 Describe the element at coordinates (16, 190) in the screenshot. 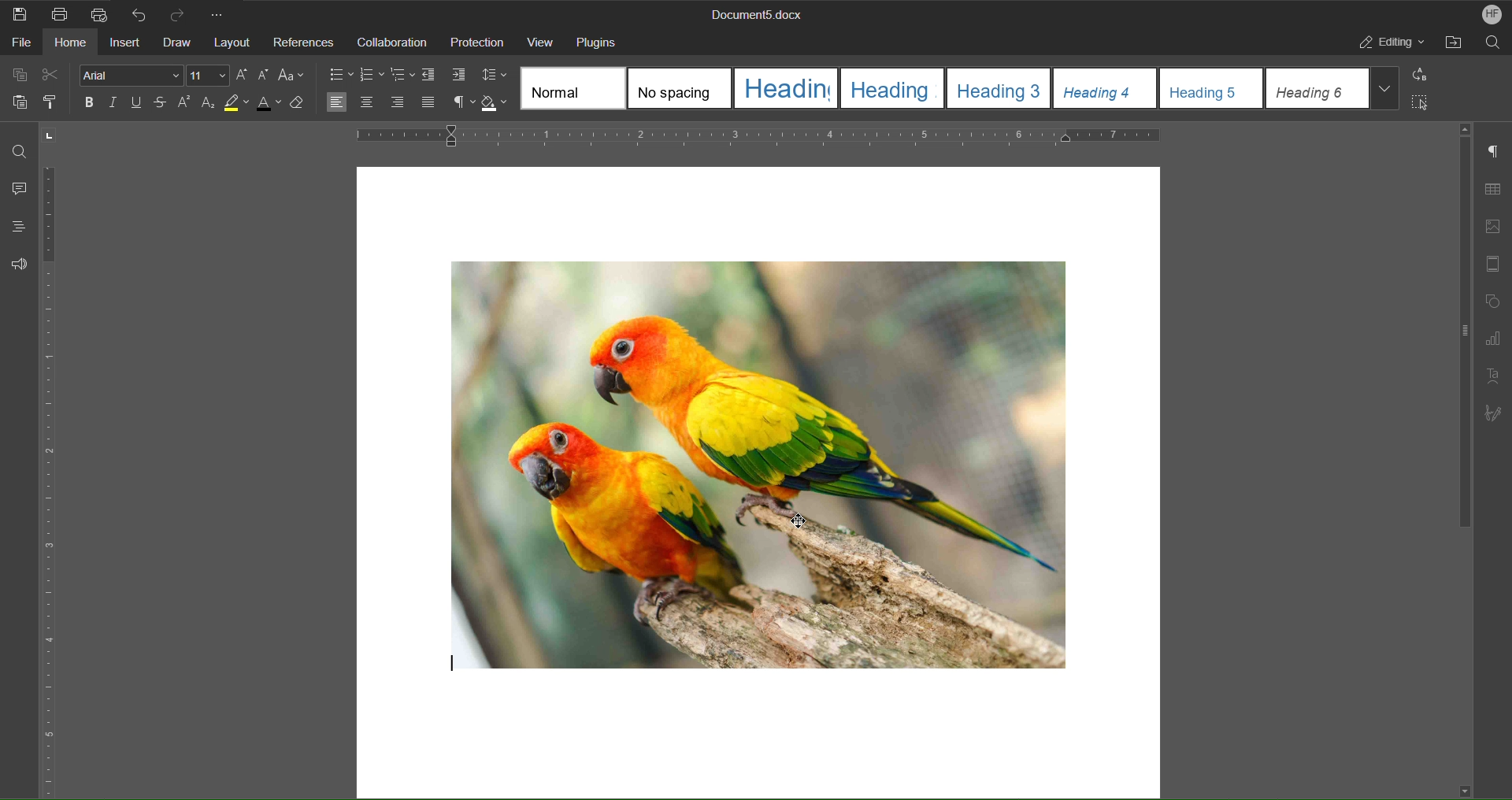

I see `Comment` at that location.